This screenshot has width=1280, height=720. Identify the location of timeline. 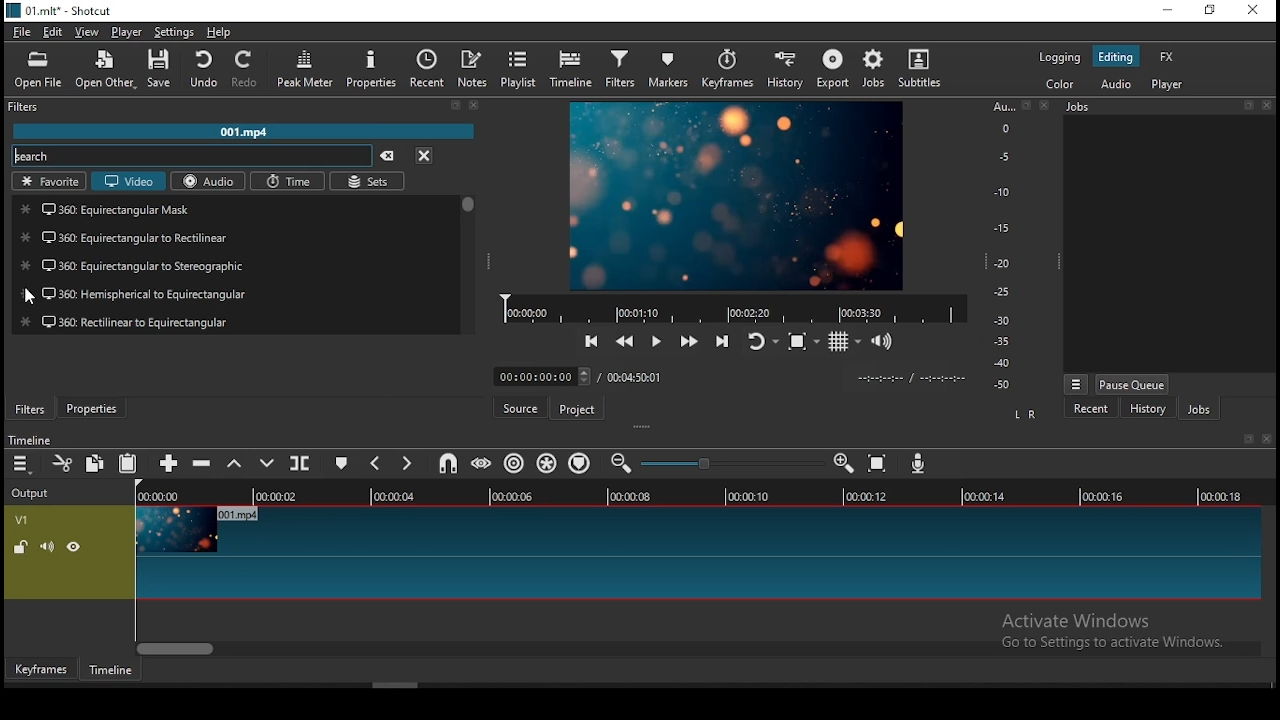
(571, 68).